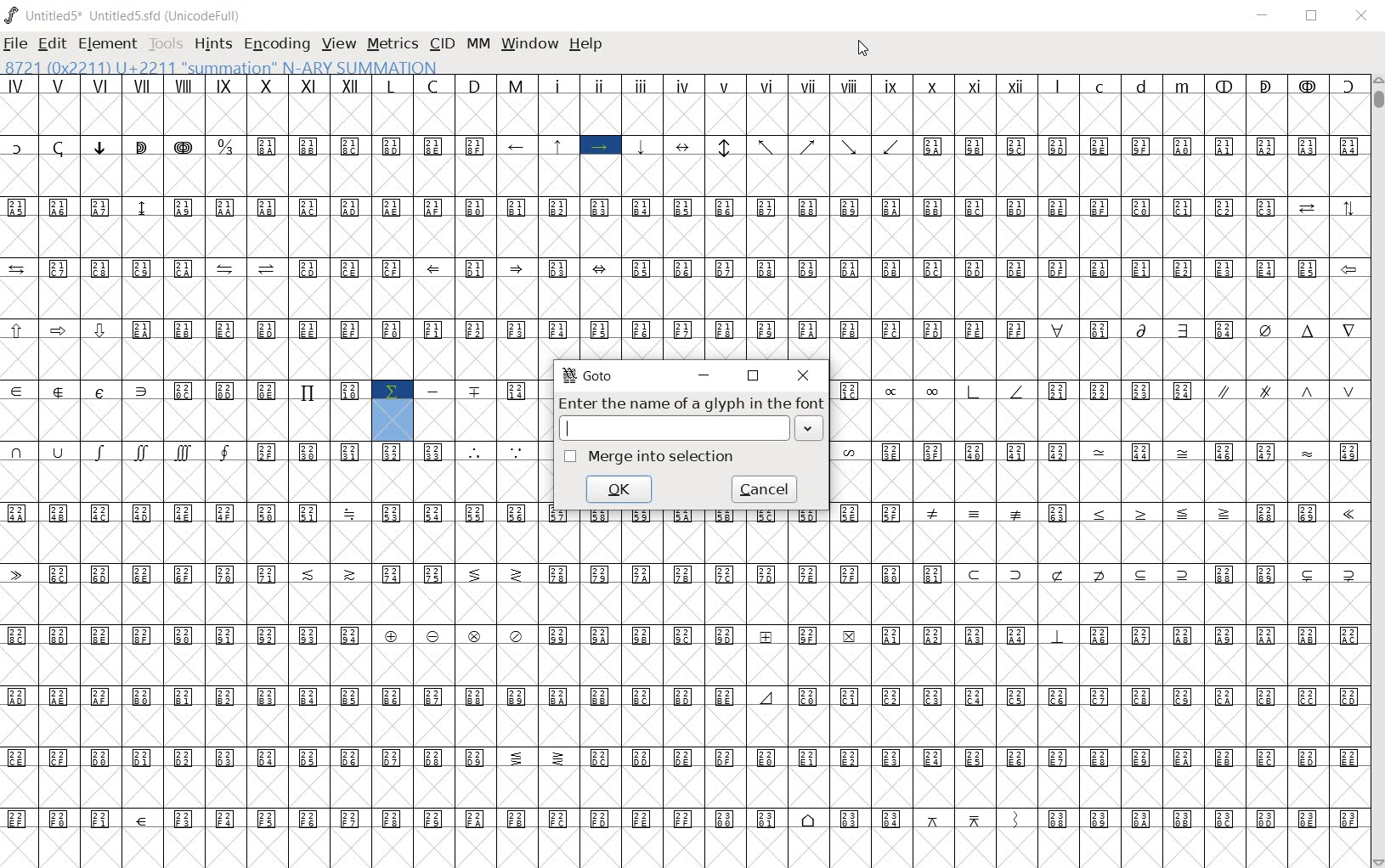 This screenshot has width=1385, height=868. What do you see at coordinates (271, 453) in the screenshot?
I see `special symbols` at bounding box center [271, 453].